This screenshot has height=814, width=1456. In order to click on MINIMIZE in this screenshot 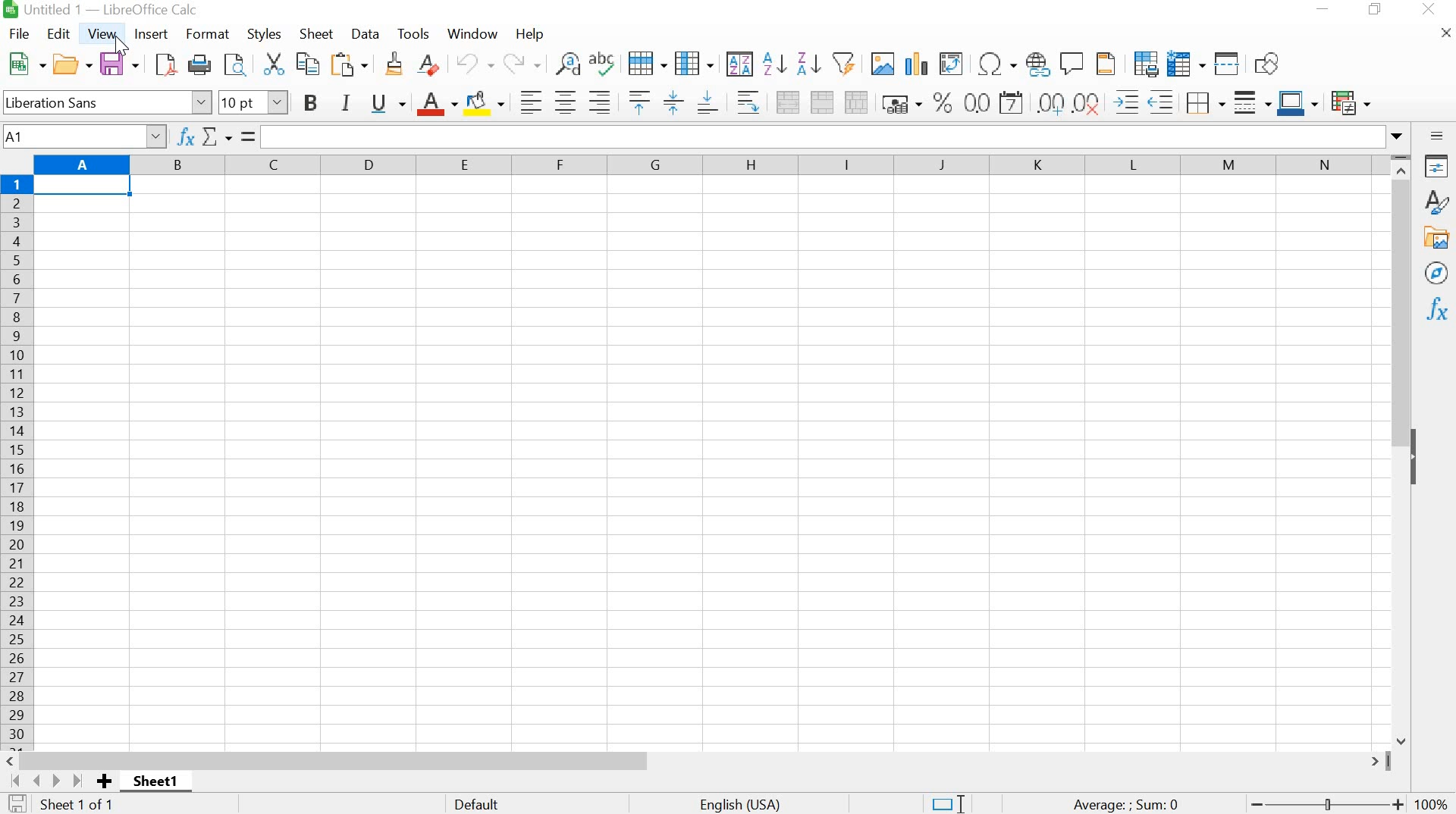, I will do `click(1323, 10)`.